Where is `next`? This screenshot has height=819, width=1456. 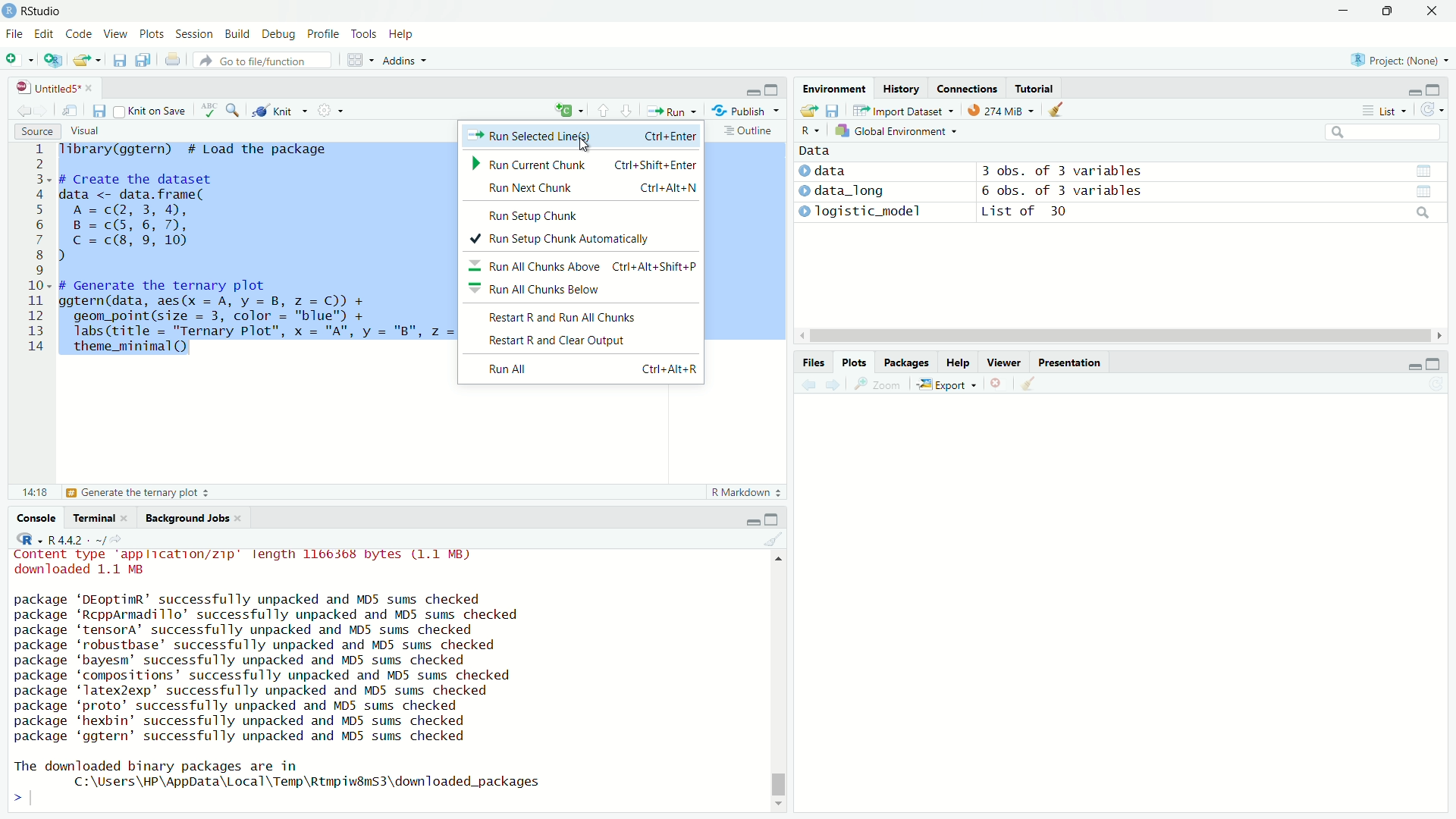 next is located at coordinates (839, 385).